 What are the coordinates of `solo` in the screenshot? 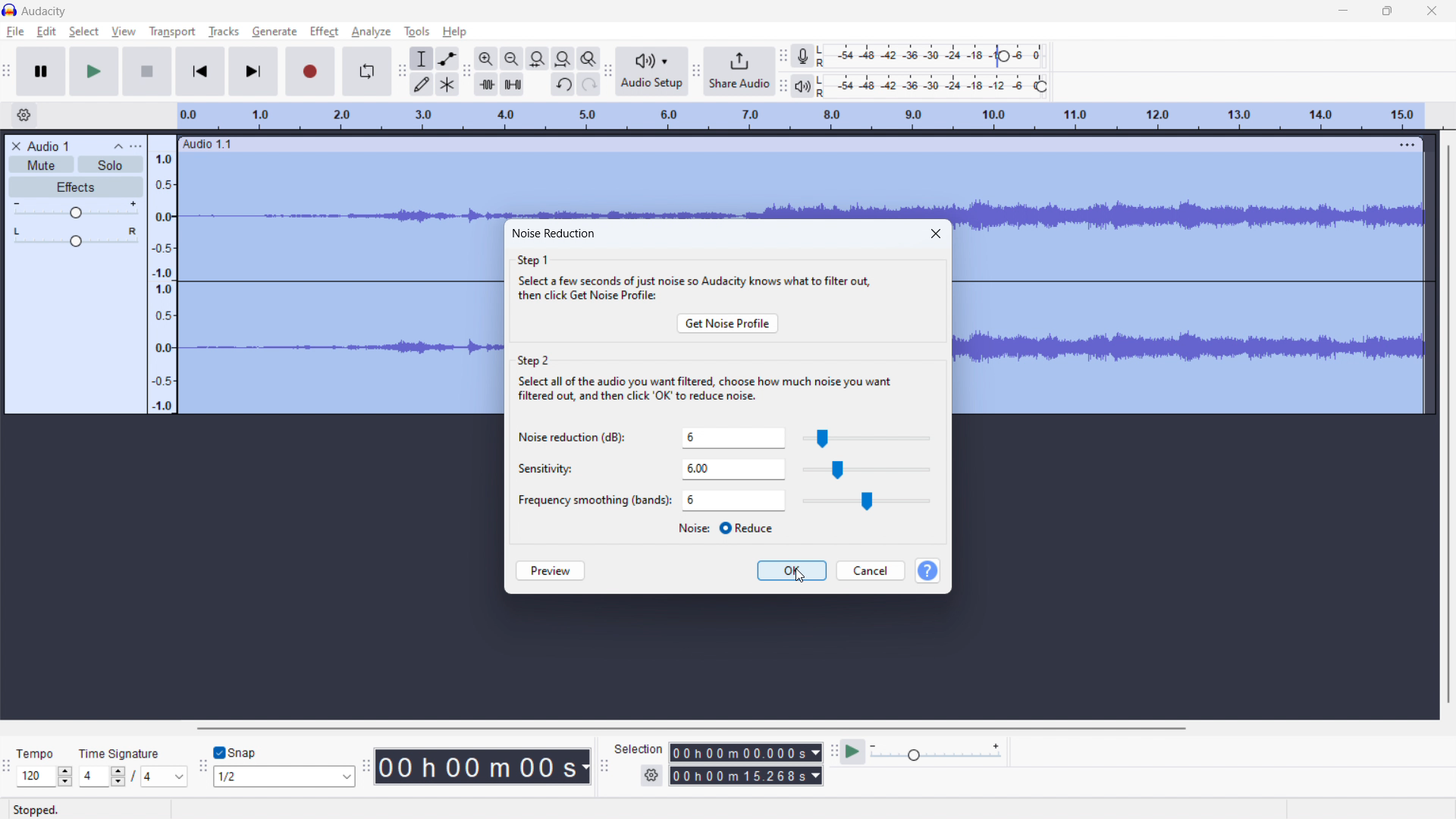 It's located at (111, 165).